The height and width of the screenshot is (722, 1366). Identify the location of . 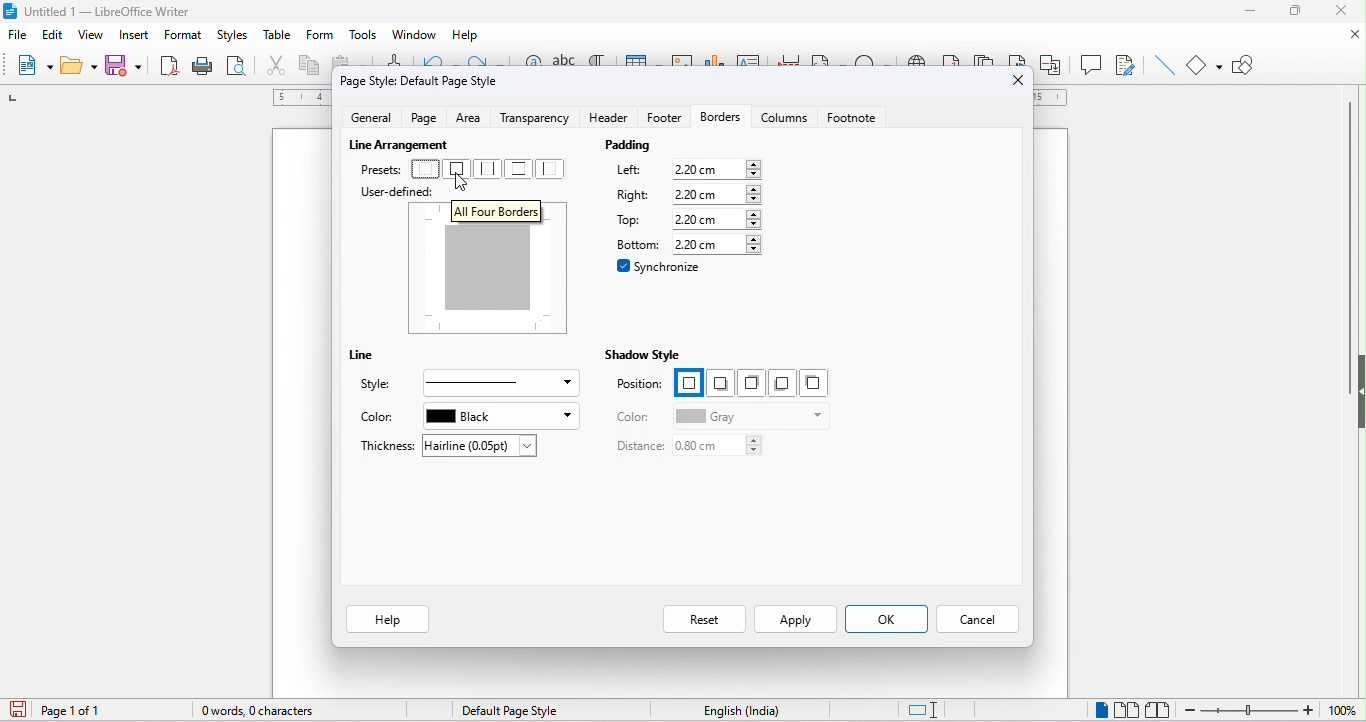
(87, 34).